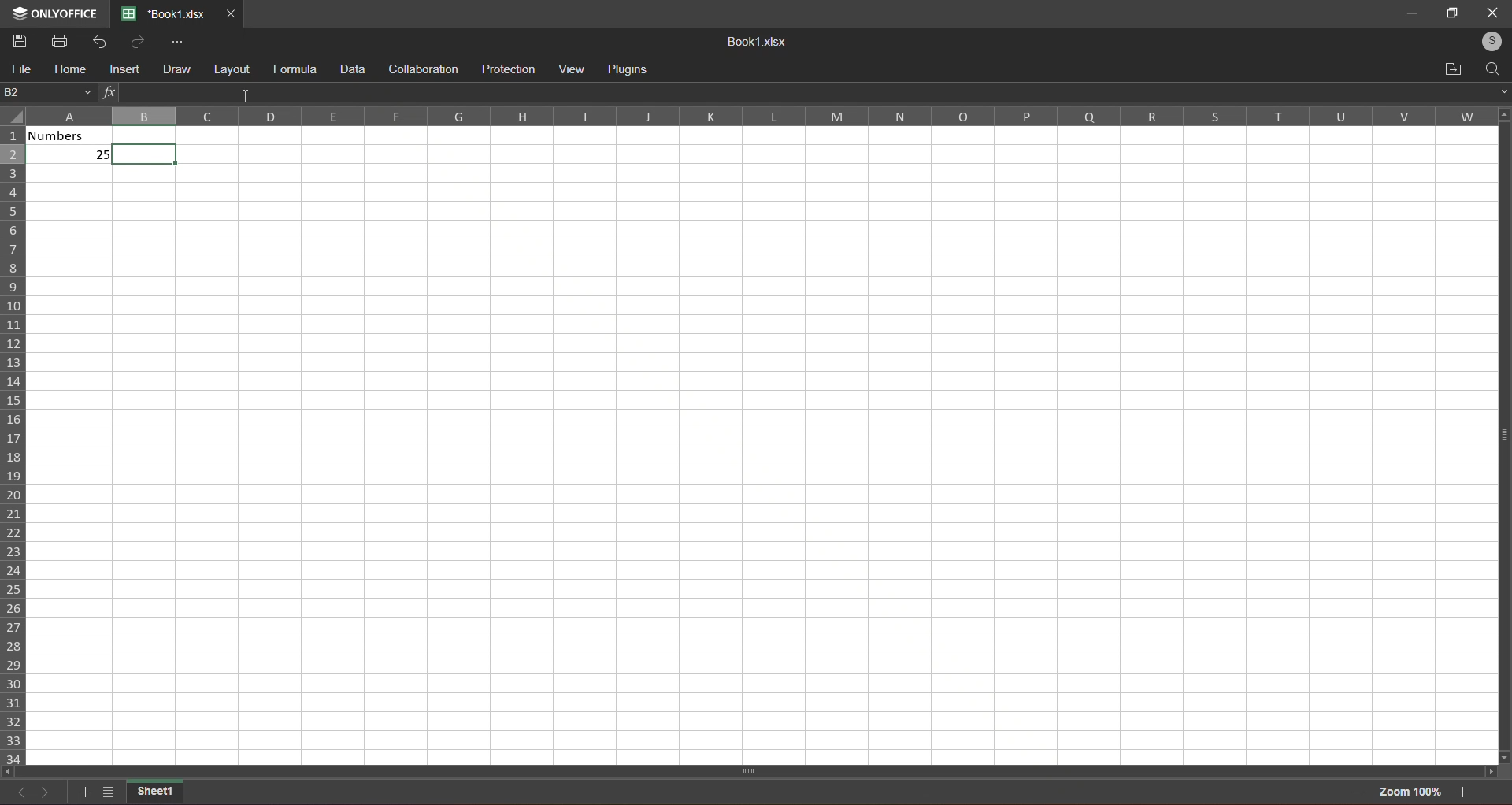 This screenshot has width=1512, height=805. Describe the element at coordinates (800, 93) in the screenshot. I see `formula bar` at that location.